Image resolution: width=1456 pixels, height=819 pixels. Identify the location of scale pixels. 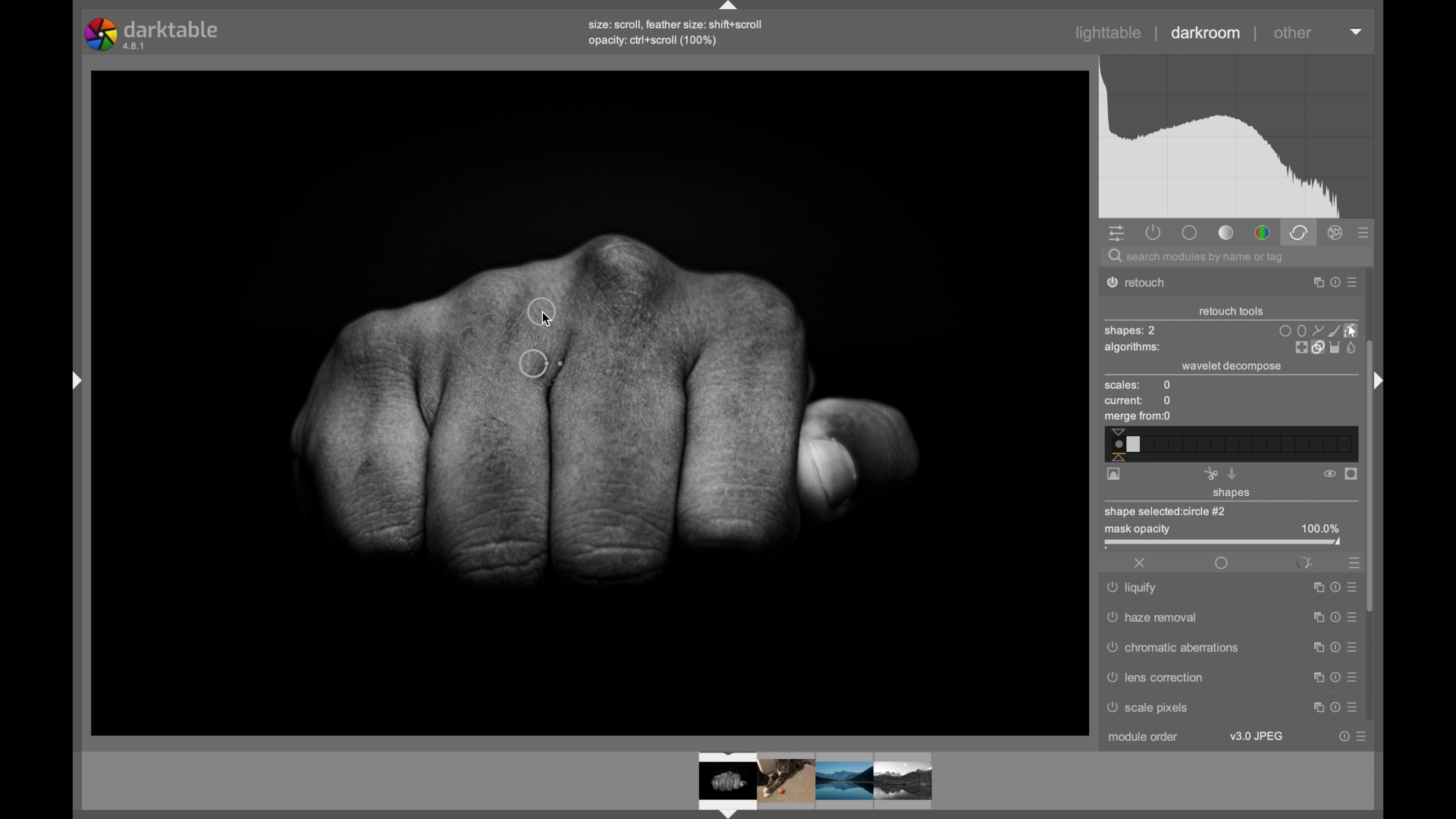
(1153, 710).